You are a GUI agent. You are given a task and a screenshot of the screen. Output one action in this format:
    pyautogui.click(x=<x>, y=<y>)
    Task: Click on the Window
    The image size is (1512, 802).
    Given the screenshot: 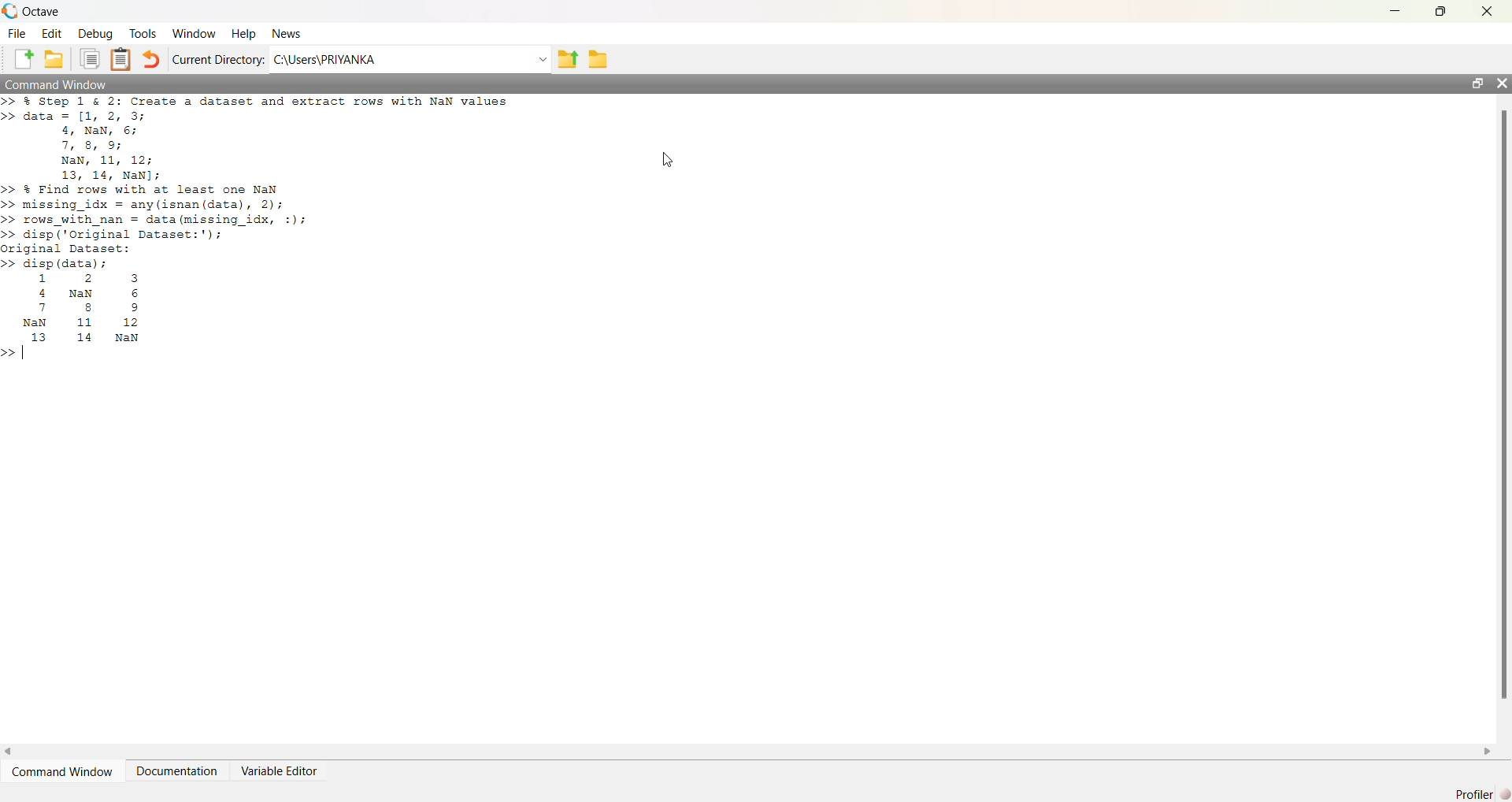 What is the action you would take?
    pyautogui.click(x=195, y=34)
    